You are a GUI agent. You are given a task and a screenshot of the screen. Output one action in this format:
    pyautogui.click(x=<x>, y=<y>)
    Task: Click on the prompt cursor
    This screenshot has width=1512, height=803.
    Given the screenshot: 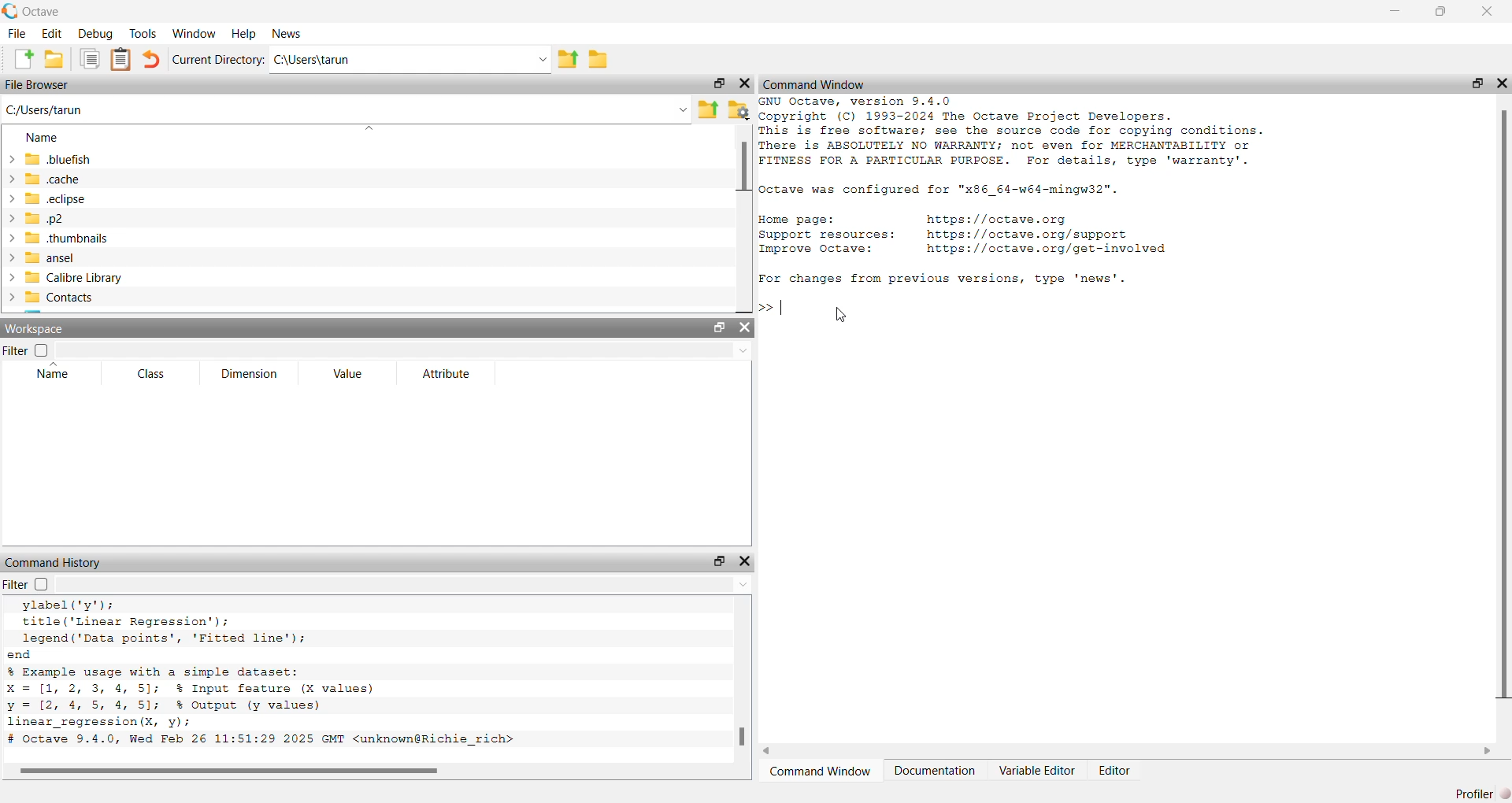 What is the action you would take?
    pyautogui.click(x=763, y=308)
    